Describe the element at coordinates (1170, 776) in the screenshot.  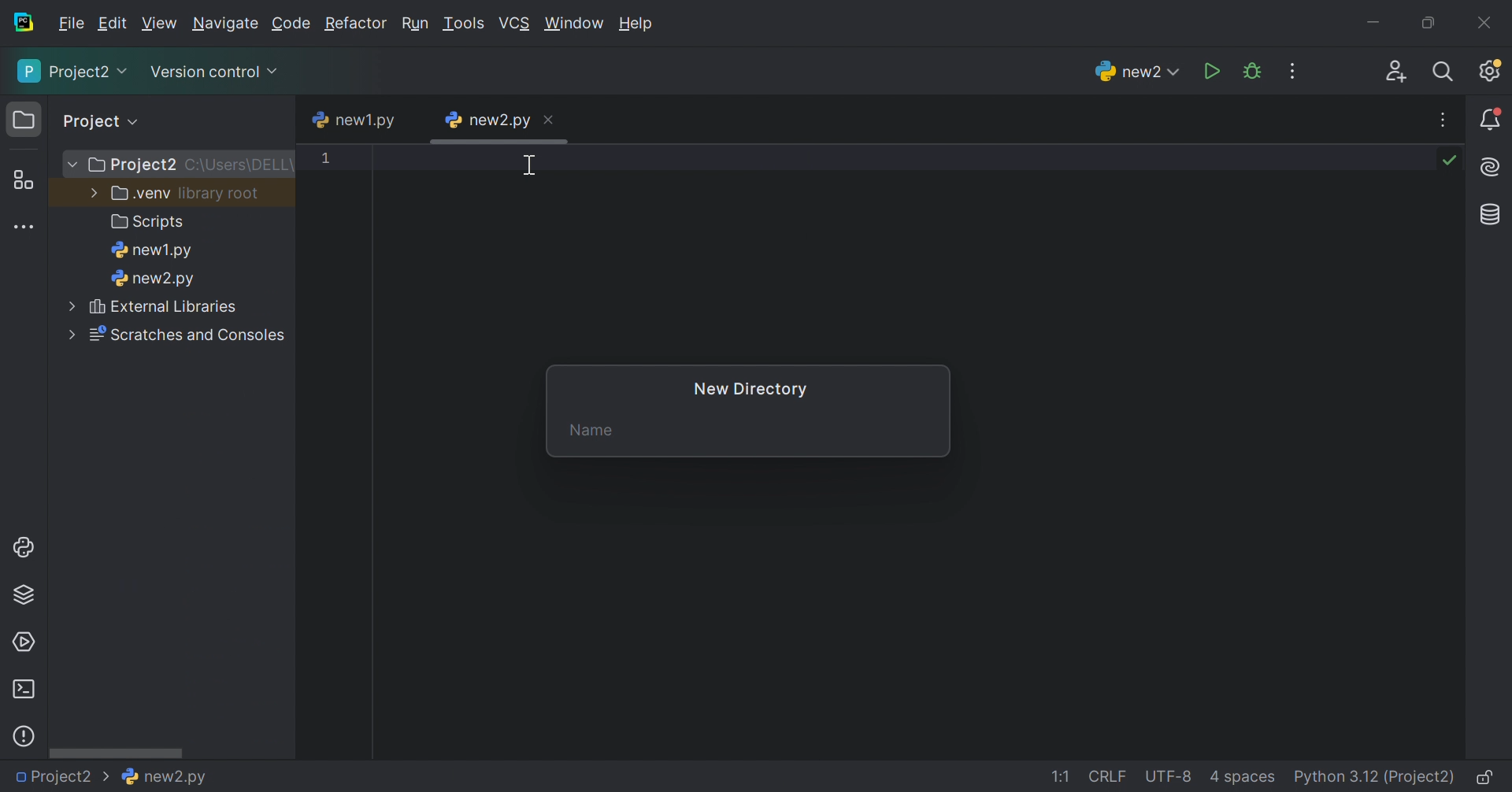
I see `UTF-8` at that location.